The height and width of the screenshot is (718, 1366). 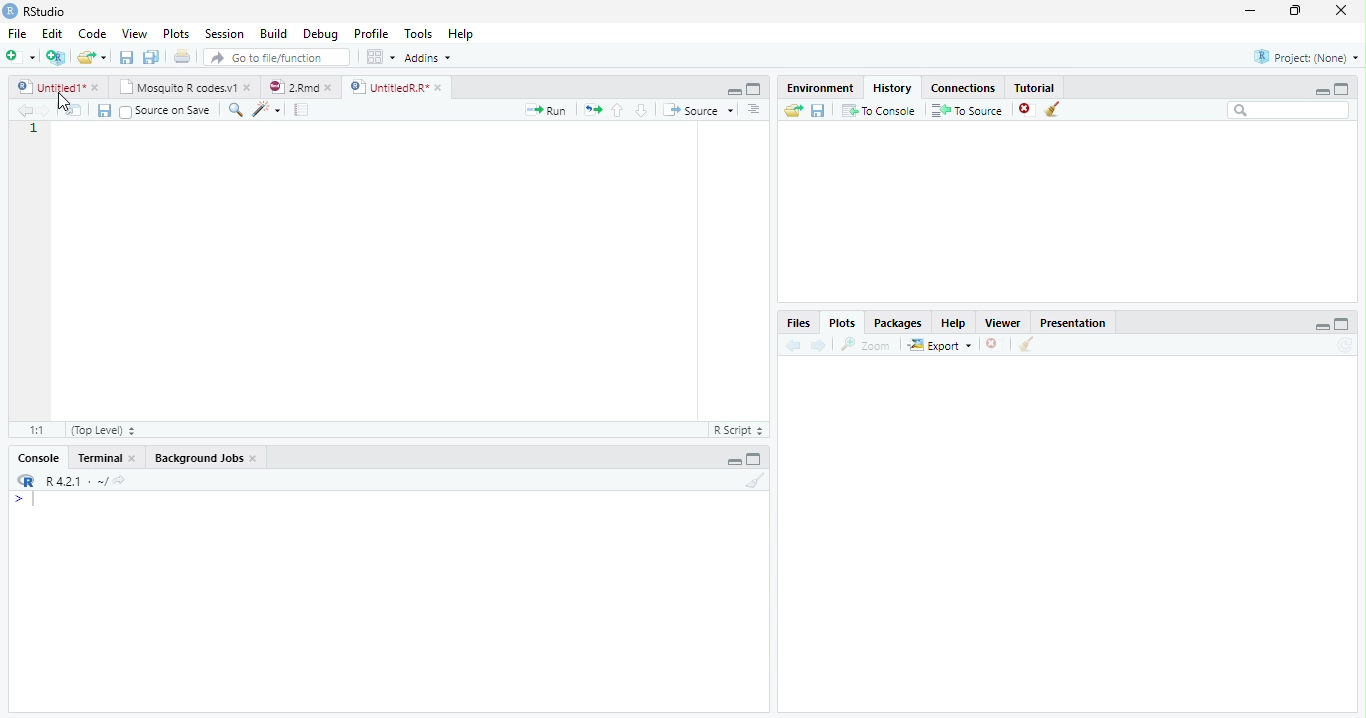 What do you see at coordinates (52, 34) in the screenshot?
I see `Edit` at bounding box center [52, 34].